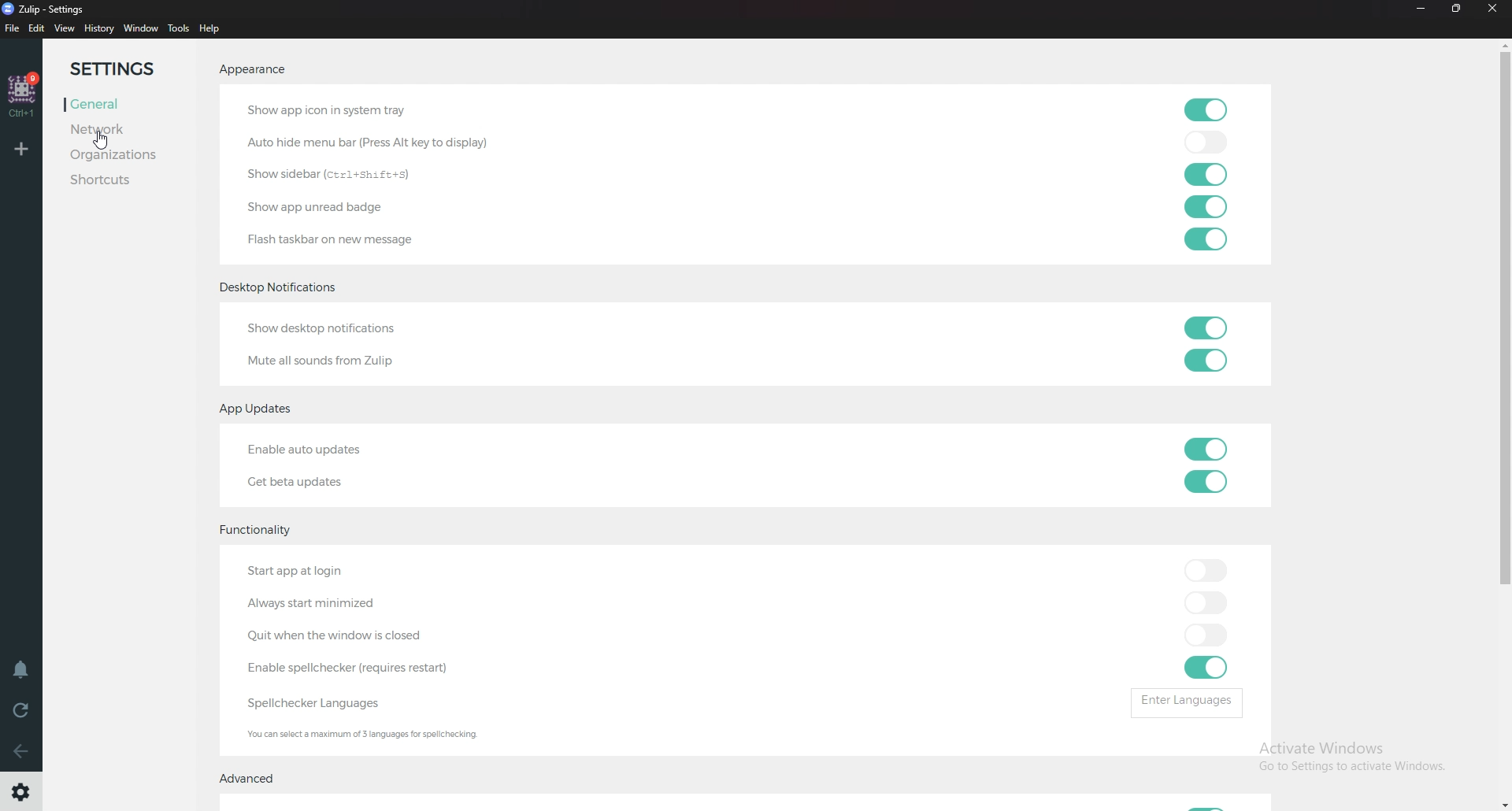 This screenshot has height=811, width=1512. I want to click on toggle, so click(1203, 569).